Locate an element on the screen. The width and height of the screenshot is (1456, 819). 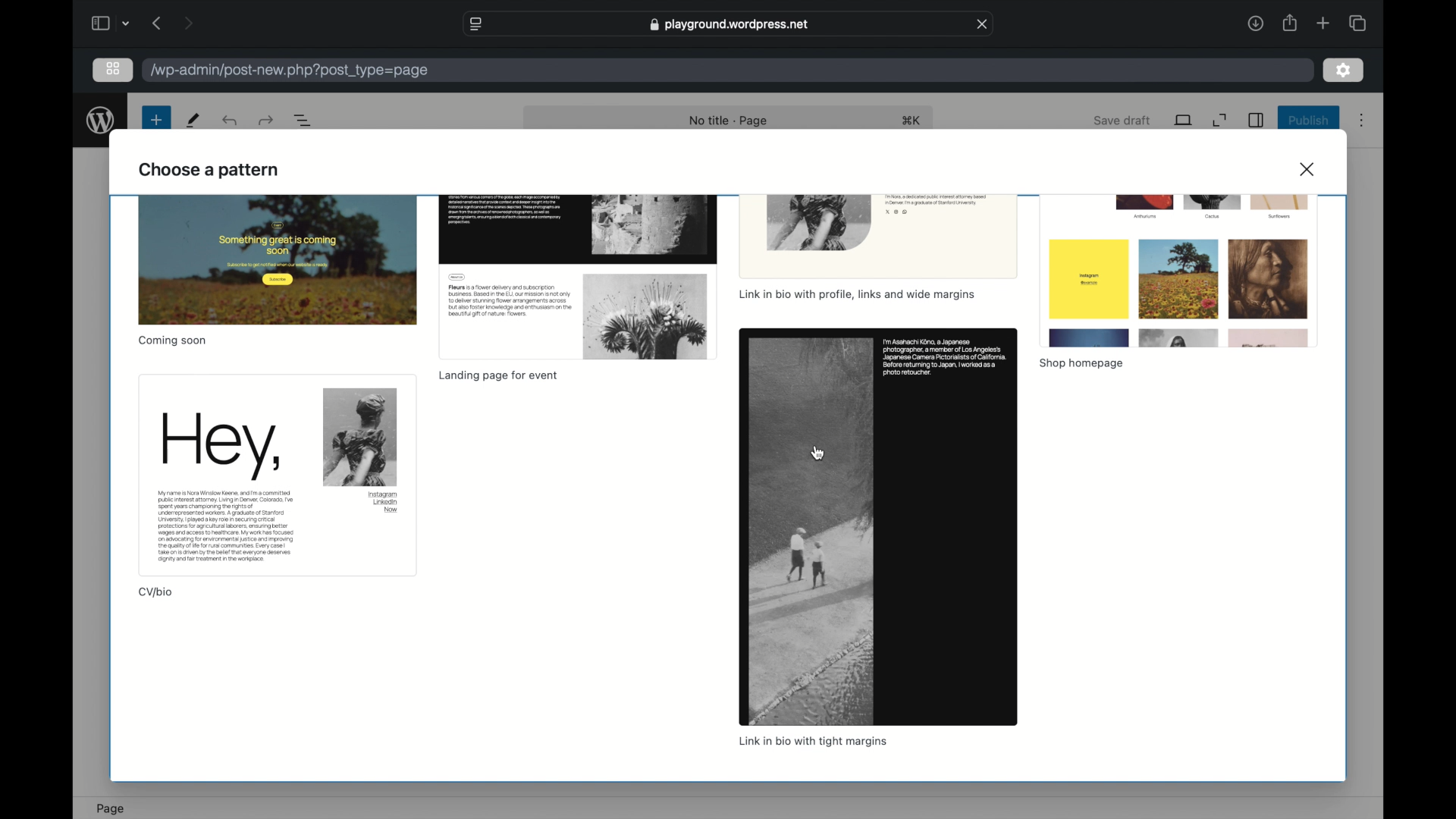
new page is located at coordinates (155, 120).